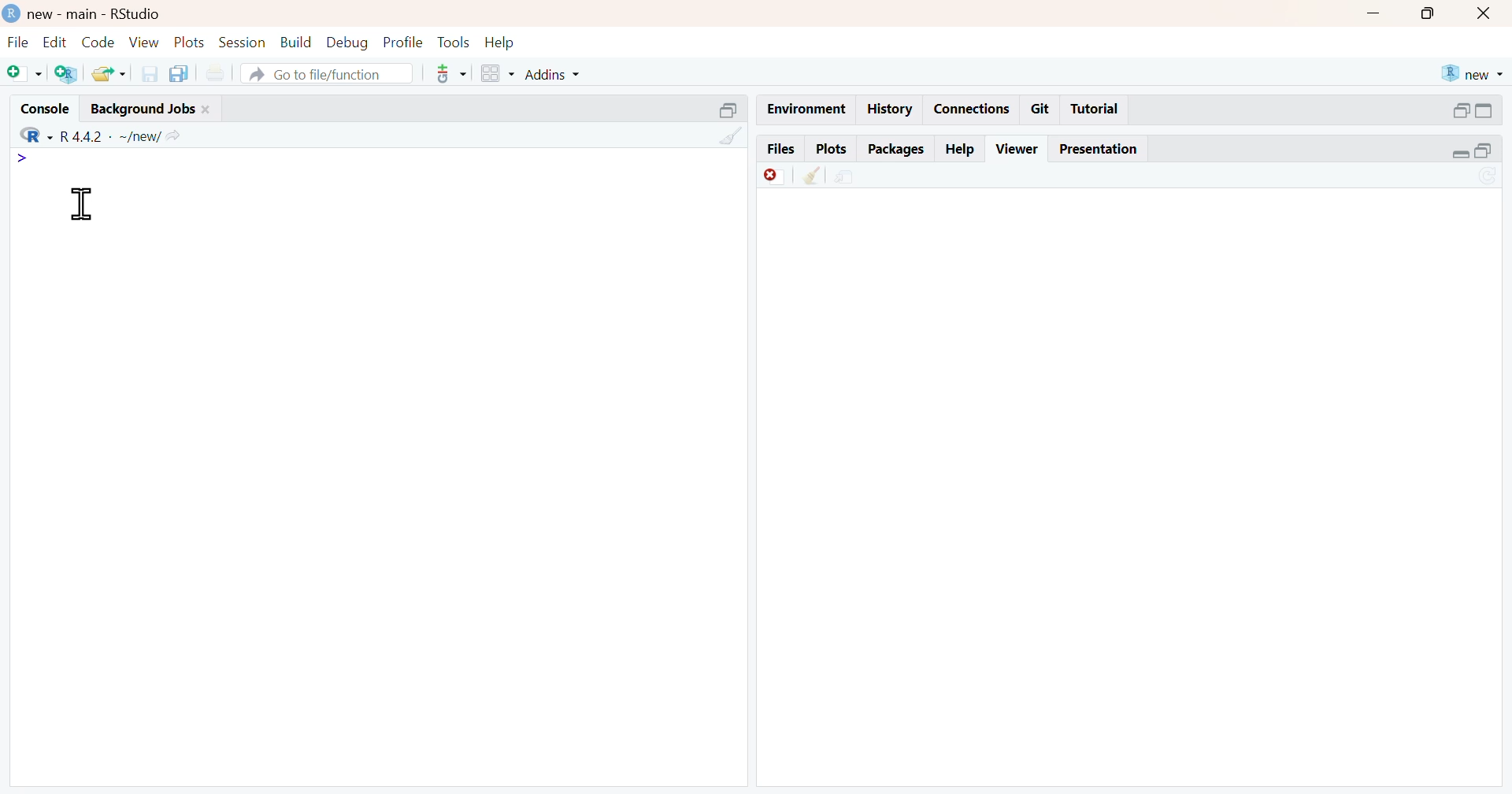 Image resolution: width=1512 pixels, height=794 pixels. I want to click on help, so click(962, 149).